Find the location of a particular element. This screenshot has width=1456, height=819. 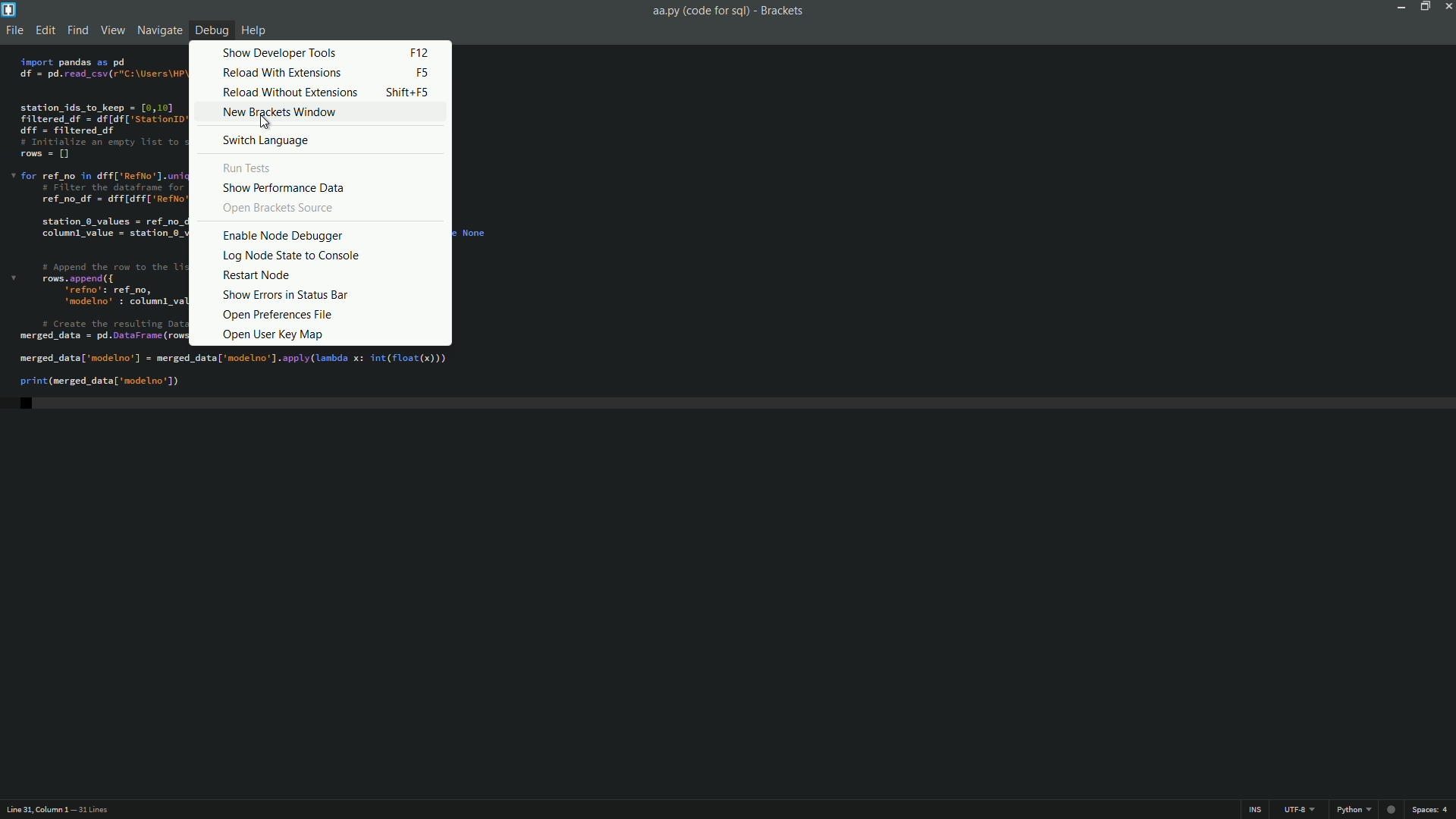

open preferences file is located at coordinates (279, 316).